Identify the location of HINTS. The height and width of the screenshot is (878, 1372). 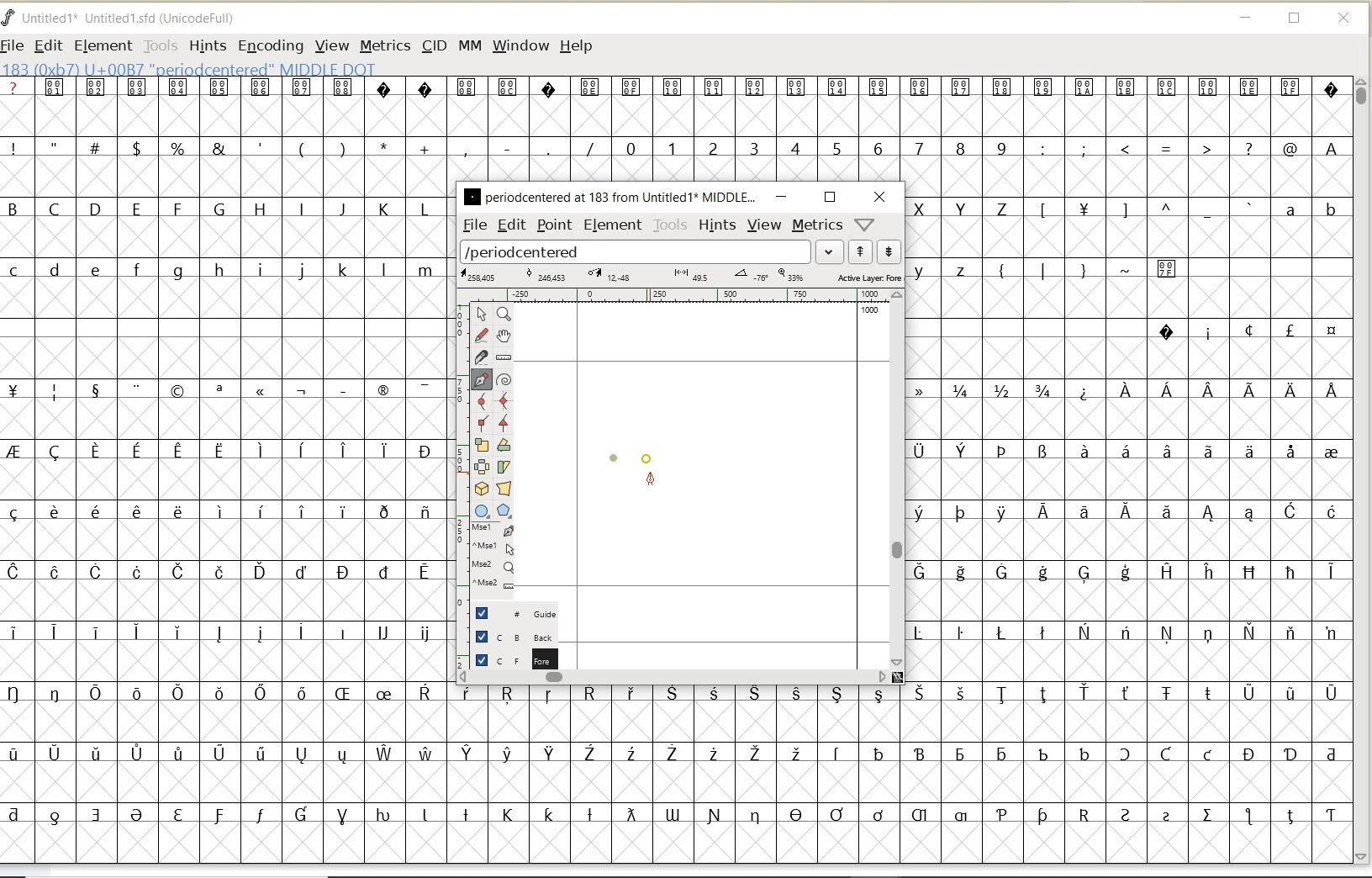
(206, 45).